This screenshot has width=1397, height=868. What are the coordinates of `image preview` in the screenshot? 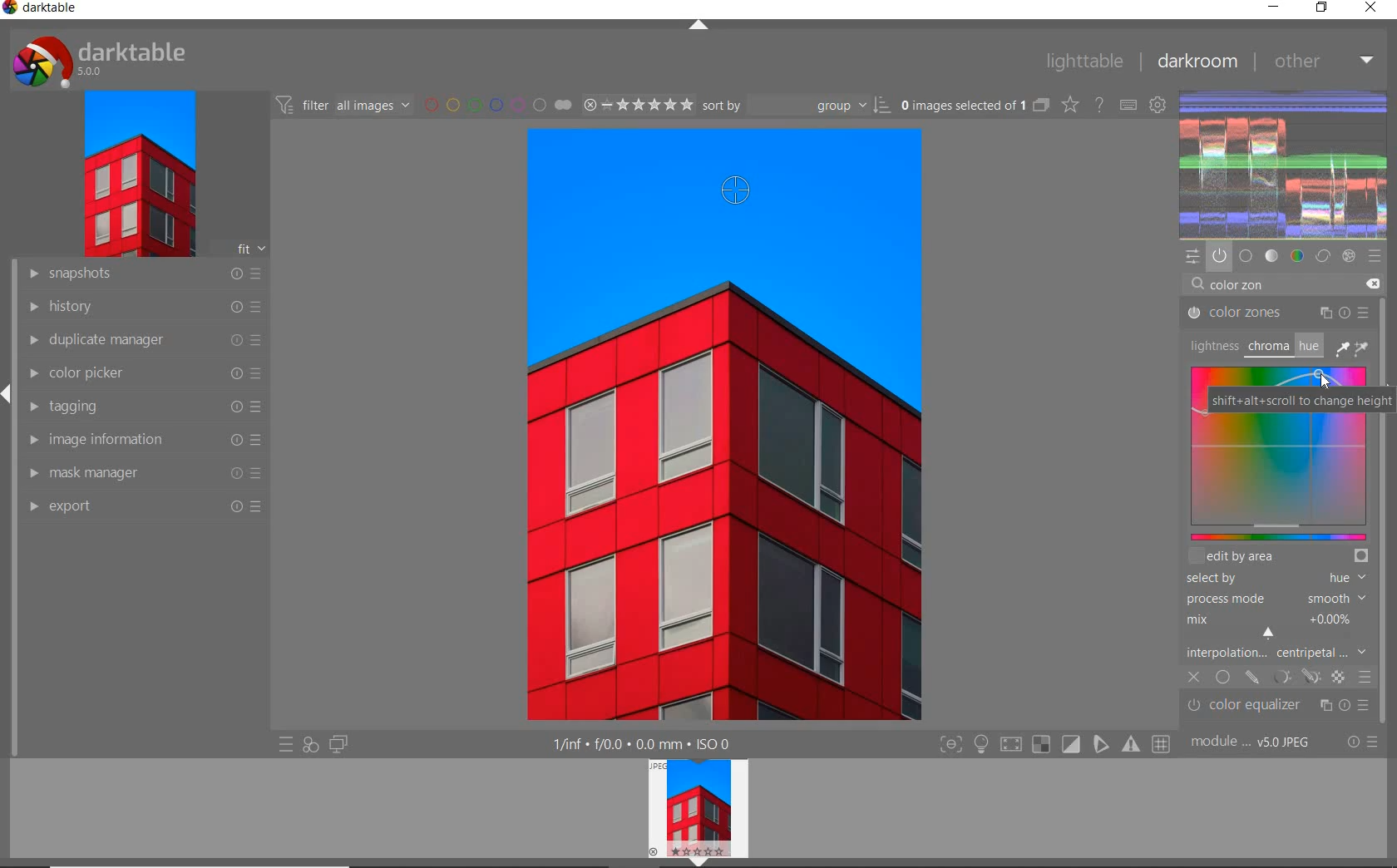 It's located at (694, 807).